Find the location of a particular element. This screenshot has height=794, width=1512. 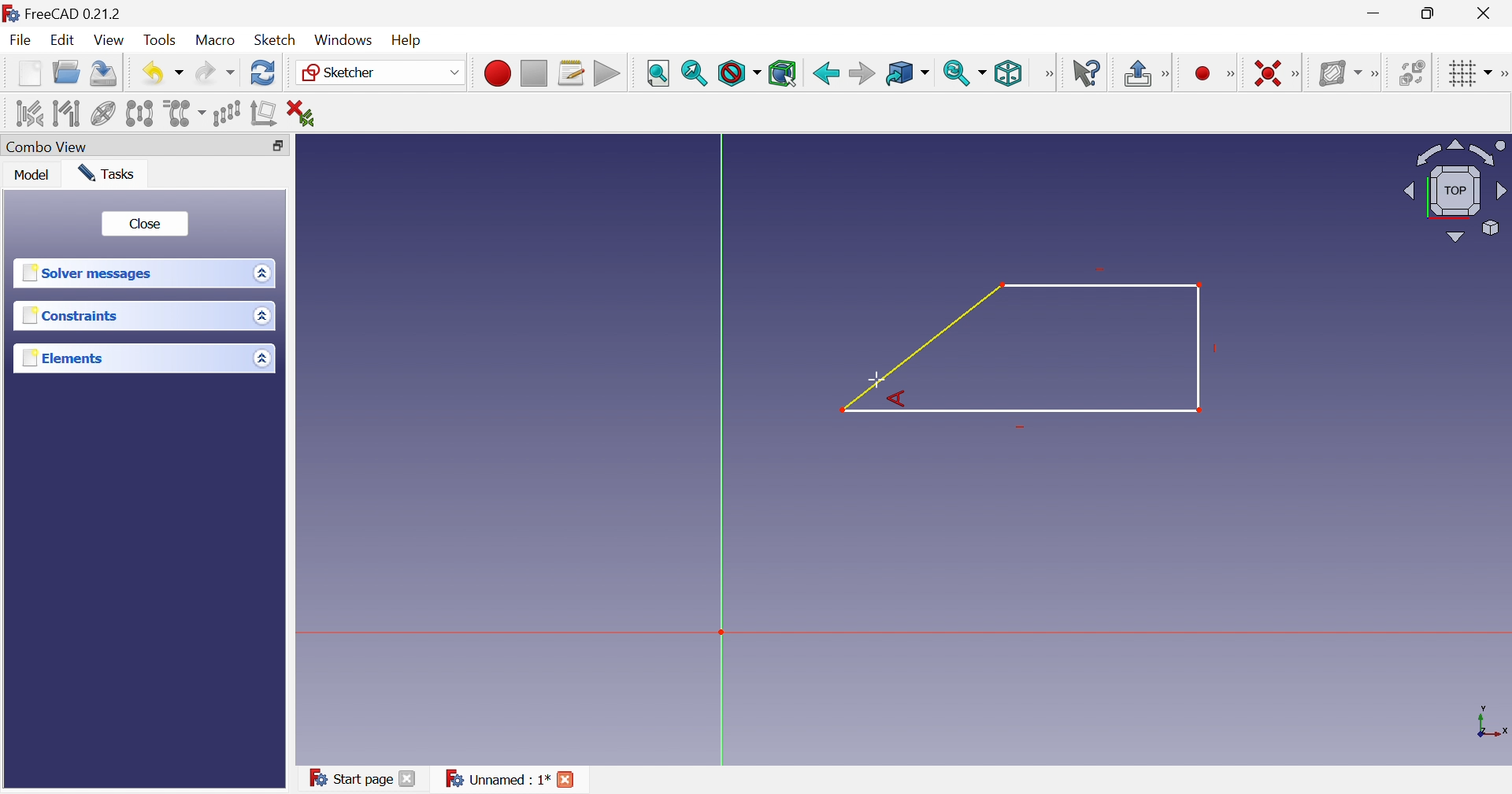

Solver messages is located at coordinates (91, 274).